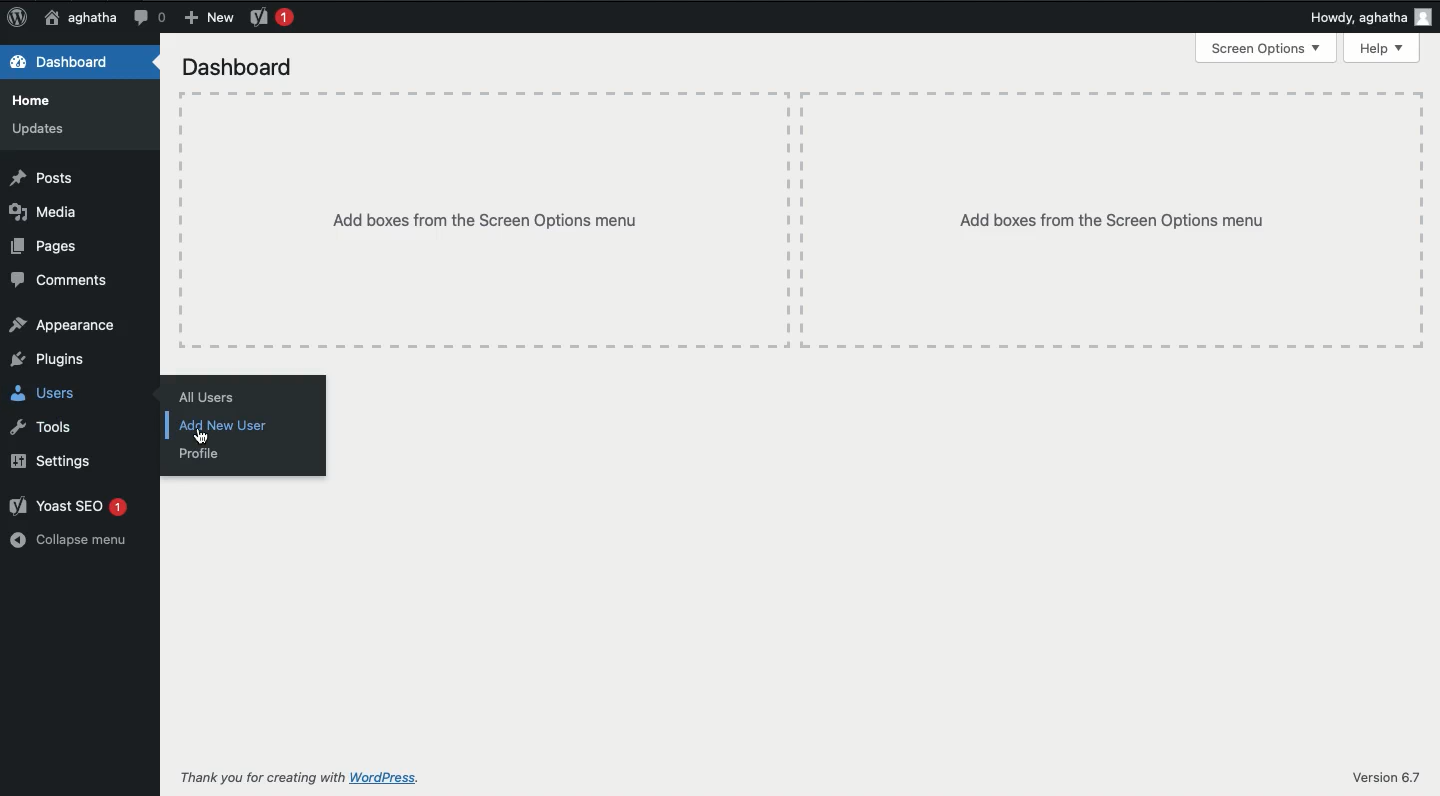 This screenshot has height=796, width=1440. Describe the element at coordinates (1371, 17) in the screenshot. I see `Howdy, aghatha` at that location.